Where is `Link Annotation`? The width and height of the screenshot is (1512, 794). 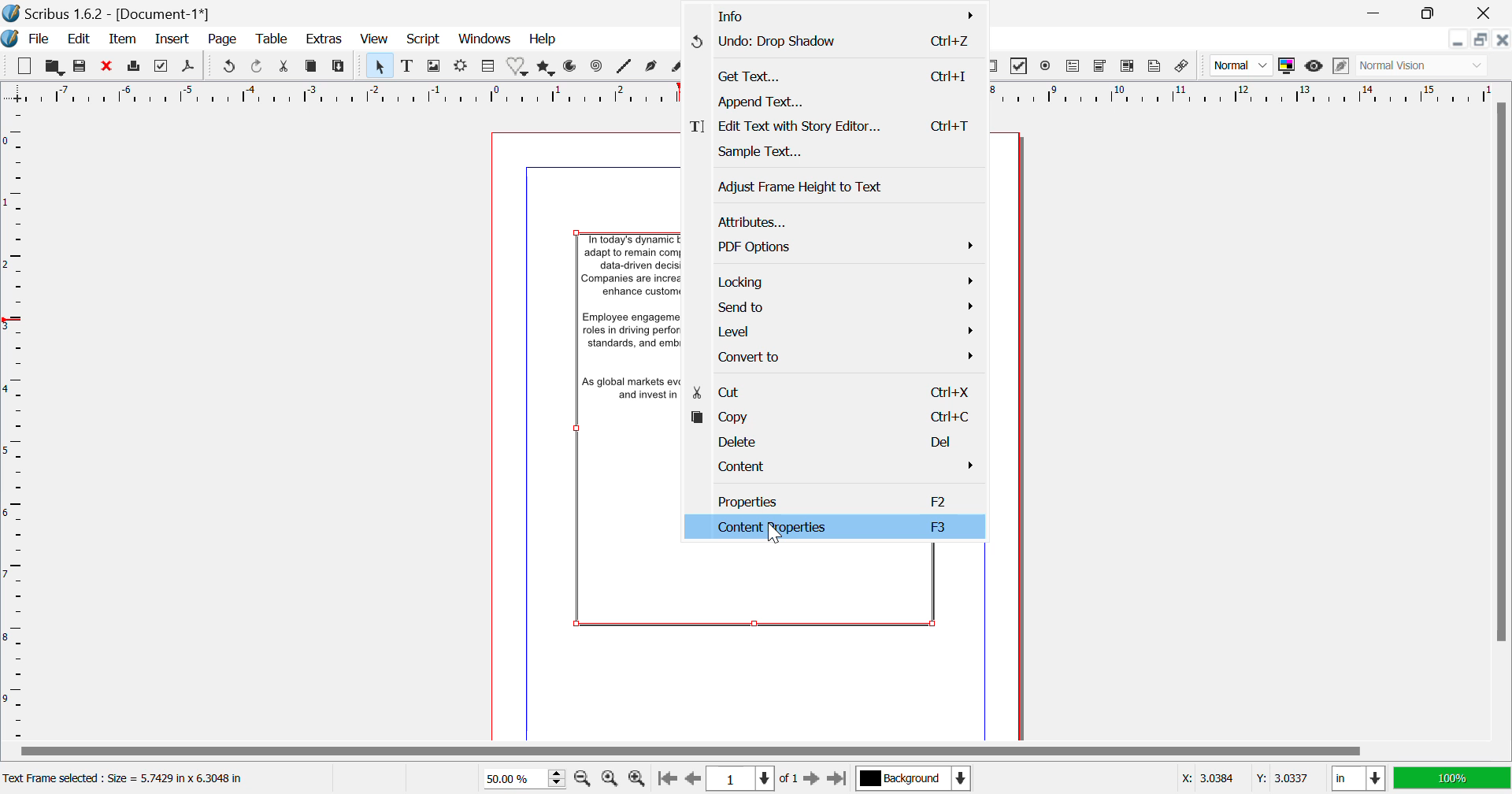
Link Annotation is located at coordinates (1184, 68).